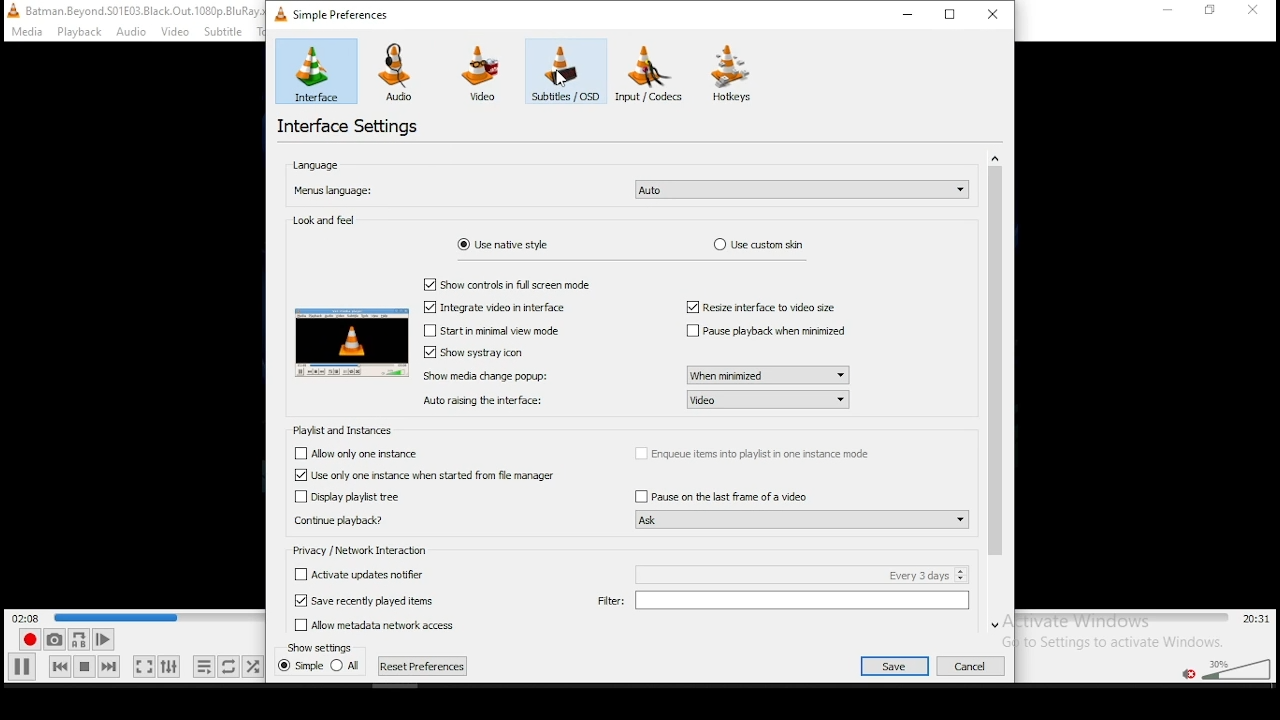 This screenshot has height=720, width=1280. Describe the element at coordinates (426, 477) in the screenshot. I see `` at that location.